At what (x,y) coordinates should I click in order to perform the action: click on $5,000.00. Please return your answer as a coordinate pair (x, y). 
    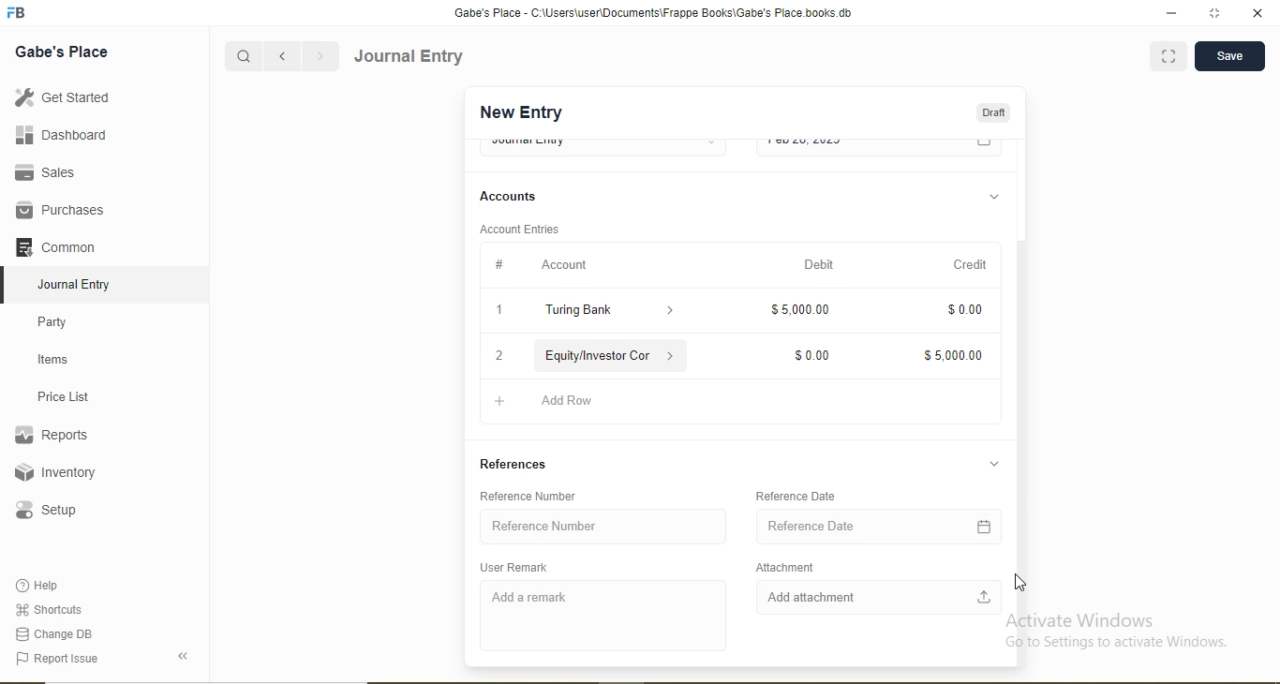
    Looking at the image, I should click on (800, 308).